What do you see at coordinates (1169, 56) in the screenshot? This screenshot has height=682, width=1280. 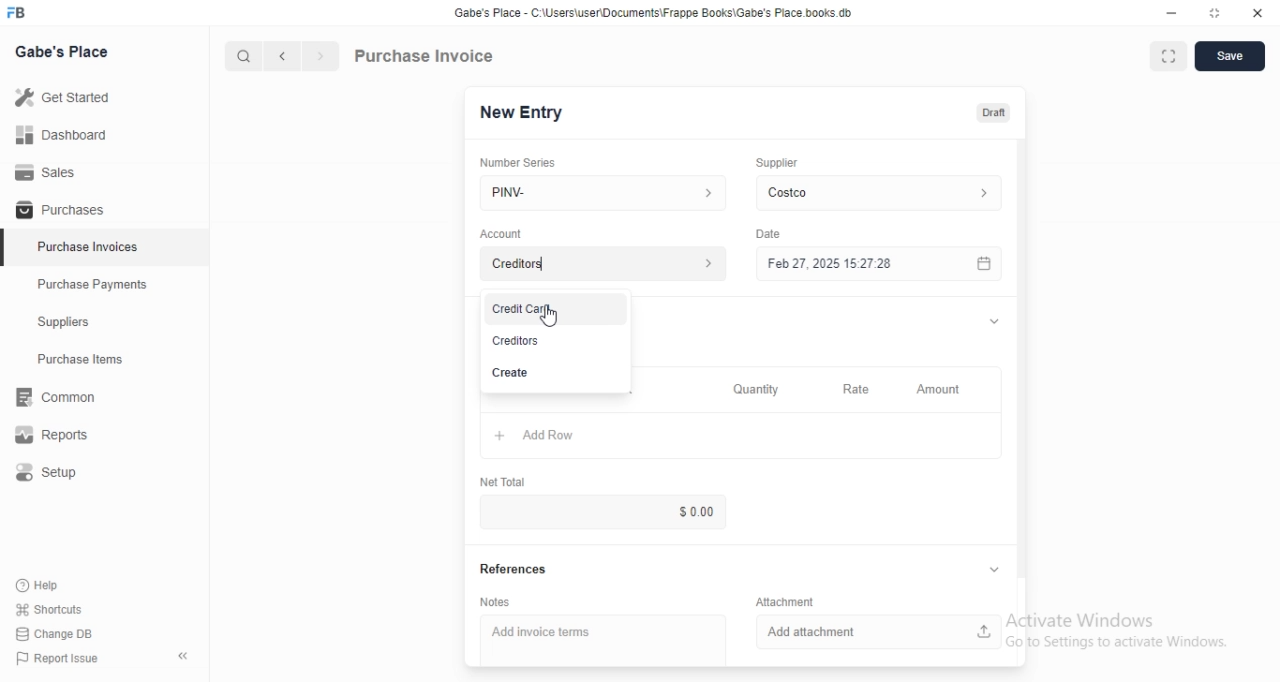 I see `Toggle between form and full width` at bounding box center [1169, 56].